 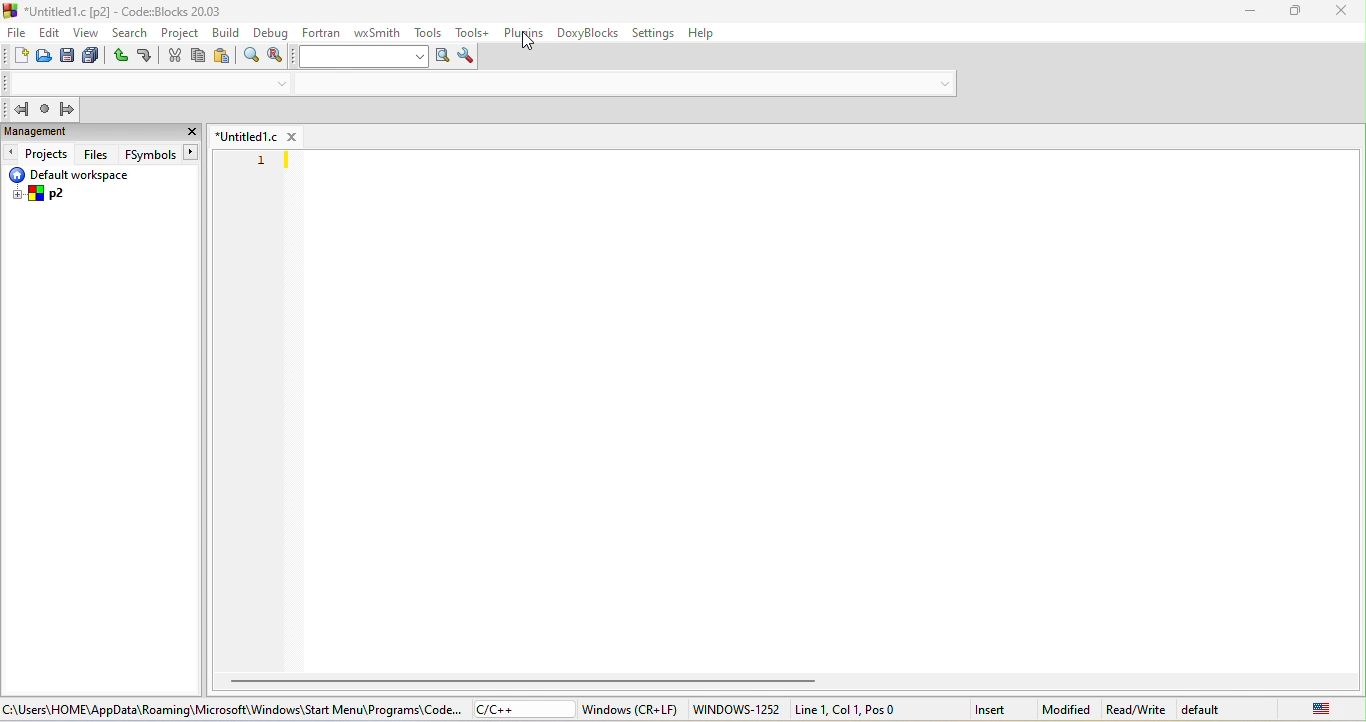 I want to click on projects, so click(x=37, y=154).